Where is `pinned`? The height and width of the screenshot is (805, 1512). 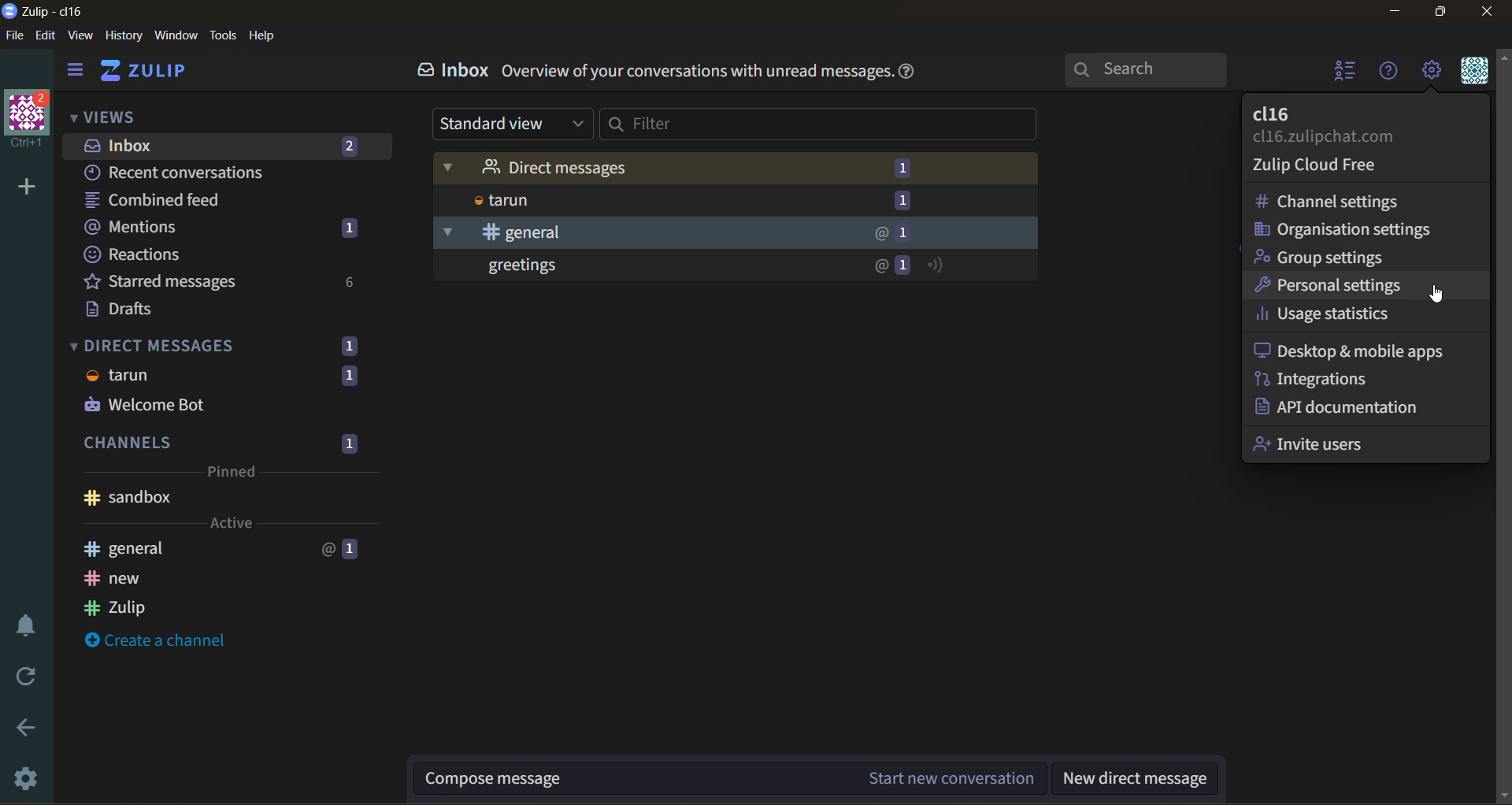 pinned is located at coordinates (230, 473).